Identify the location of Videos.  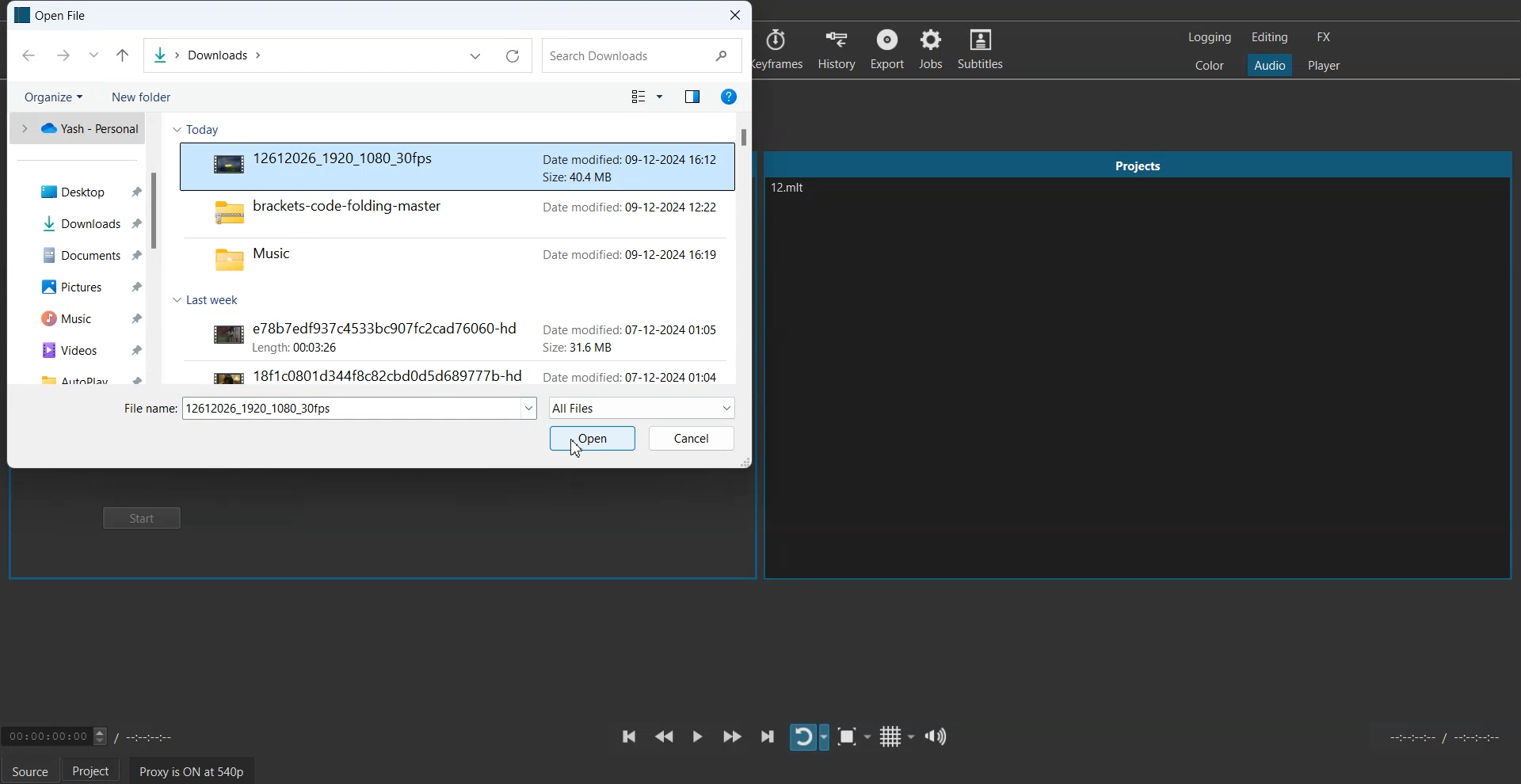
(78, 349).